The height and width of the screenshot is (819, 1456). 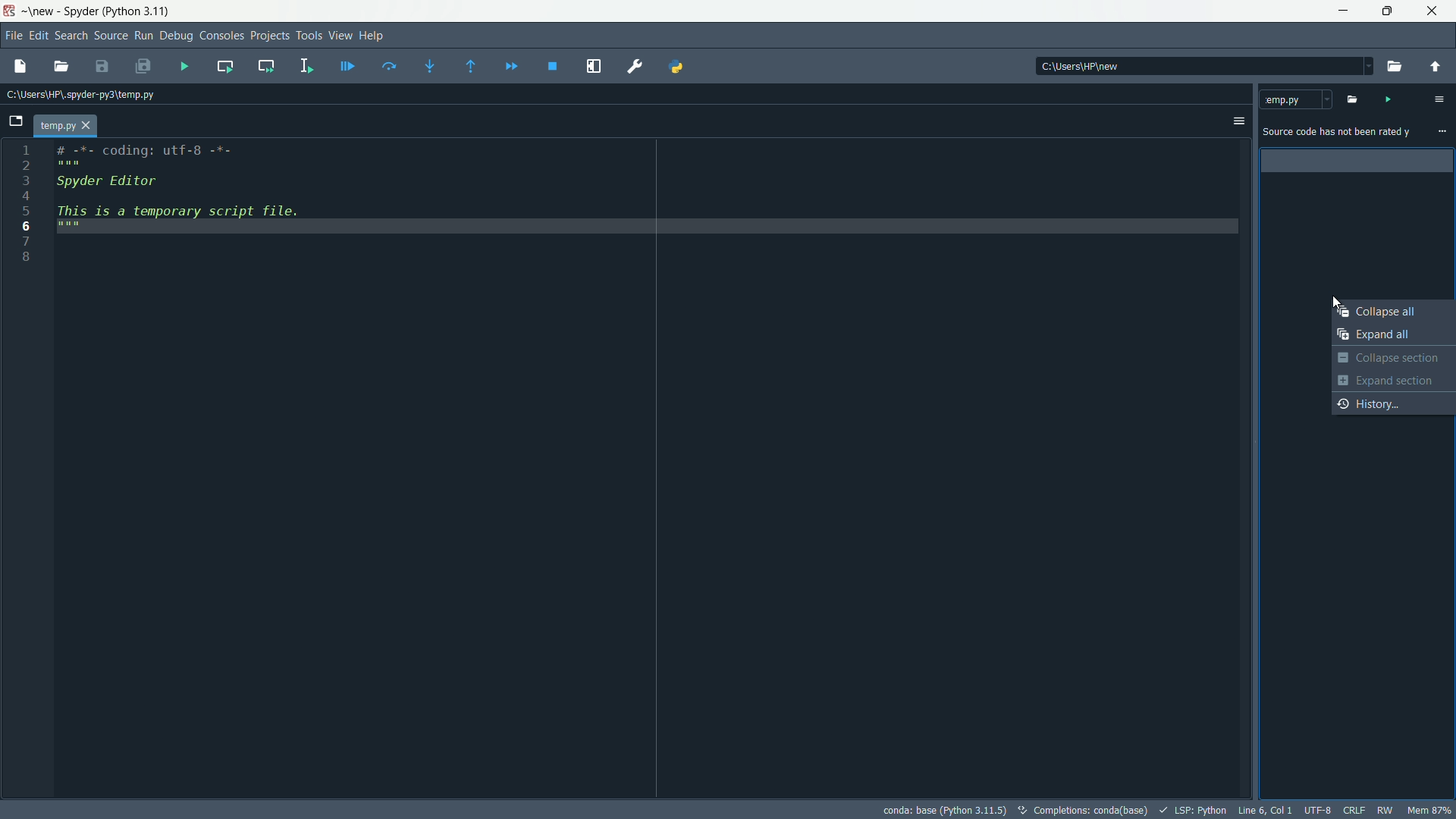 What do you see at coordinates (679, 66) in the screenshot?
I see `python path manager` at bounding box center [679, 66].